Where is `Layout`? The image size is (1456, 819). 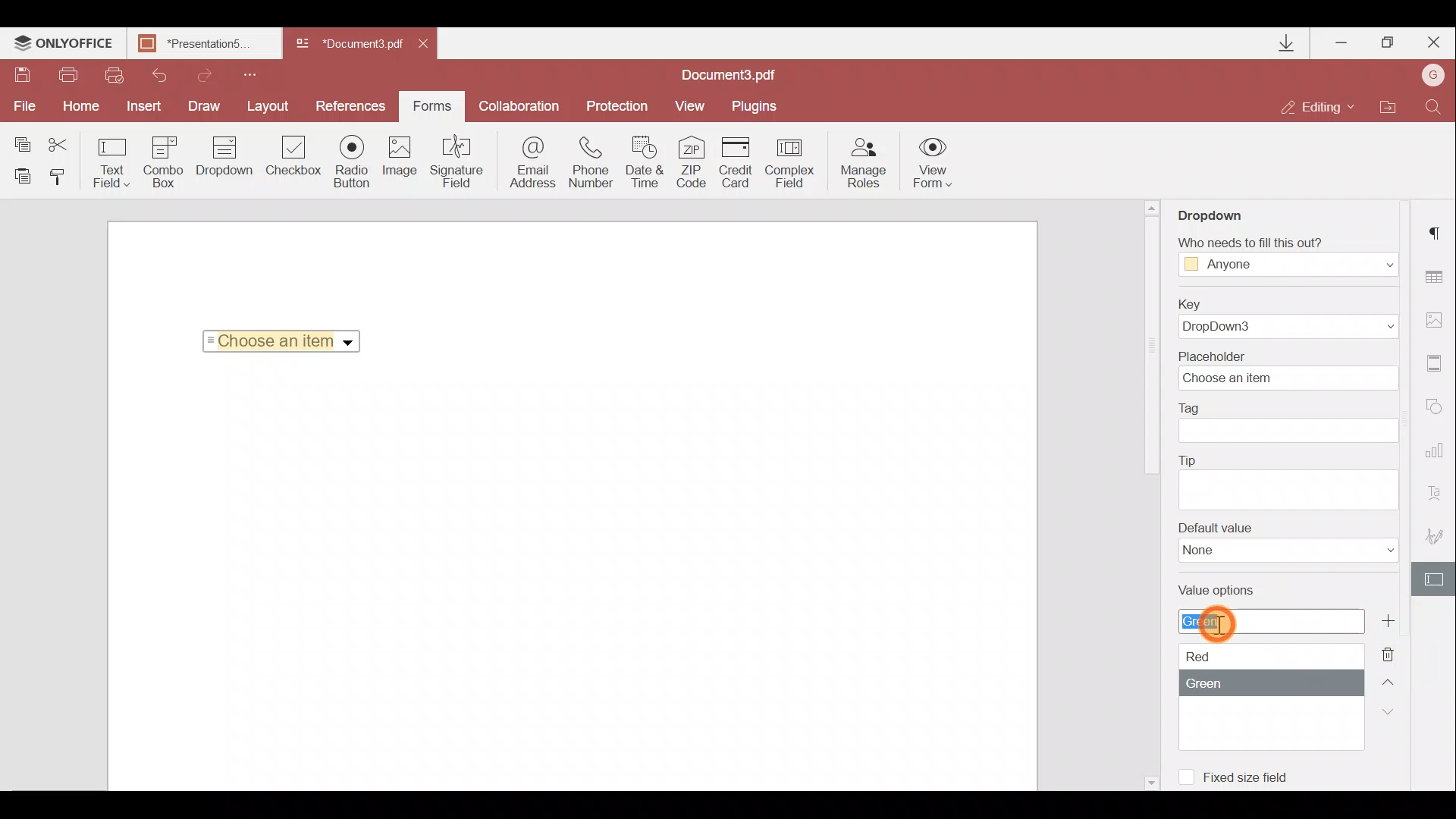
Layout is located at coordinates (272, 106).